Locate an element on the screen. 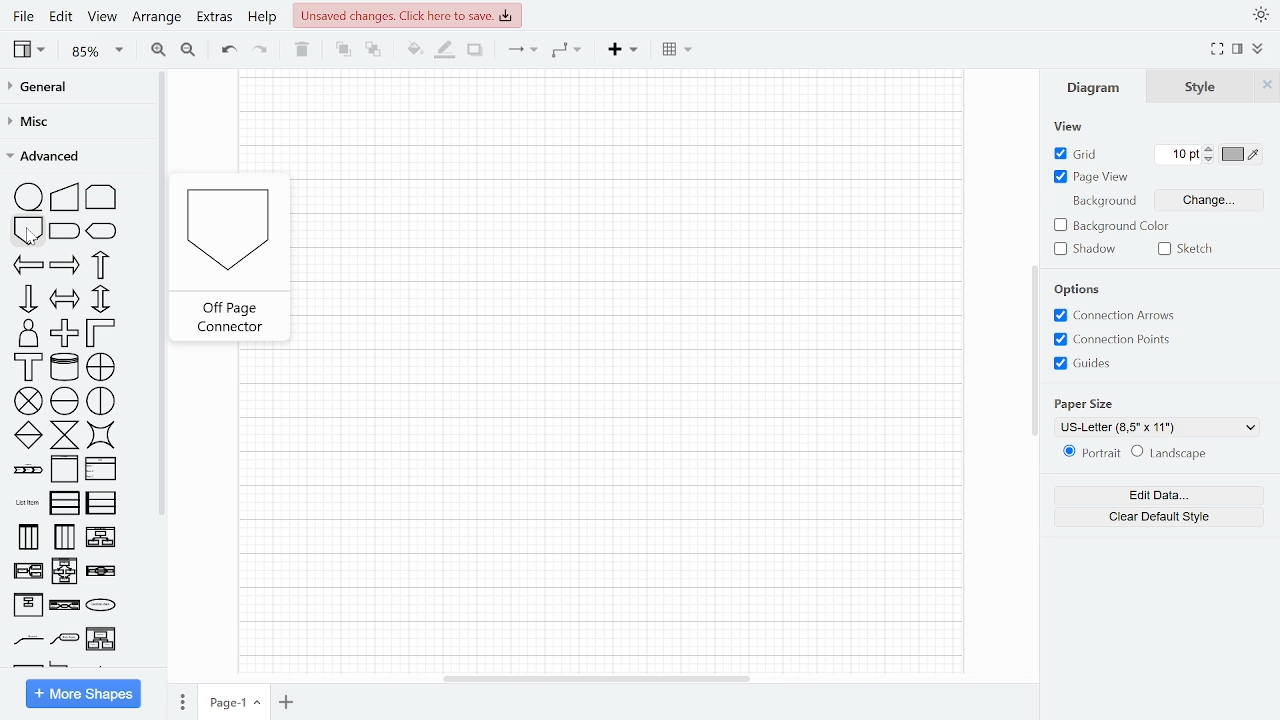 The image size is (1280, 720). decrease grid pt is located at coordinates (1211, 159).